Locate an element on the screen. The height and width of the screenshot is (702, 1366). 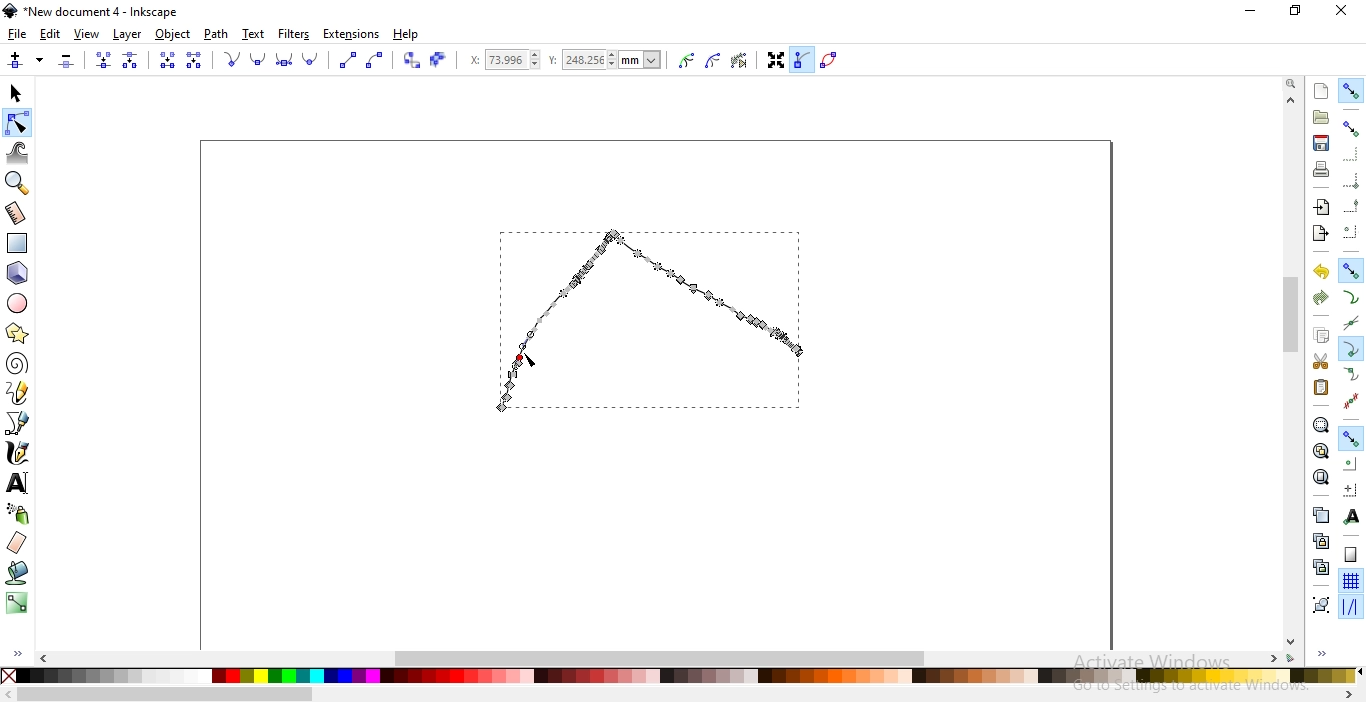
fill bounded areas is located at coordinates (18, 573).